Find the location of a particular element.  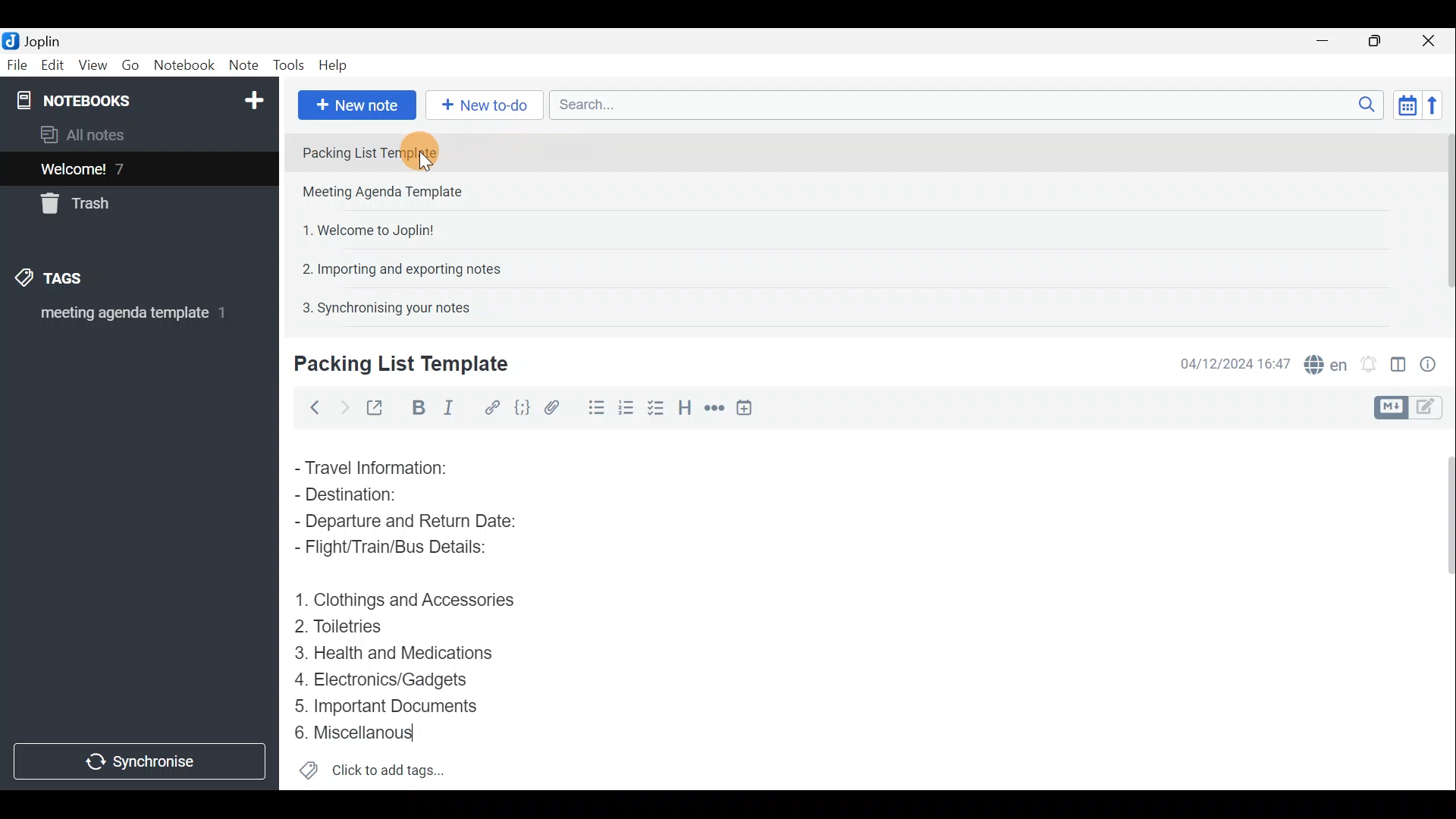

Horizontal rule is located at coordinates (712, 408).